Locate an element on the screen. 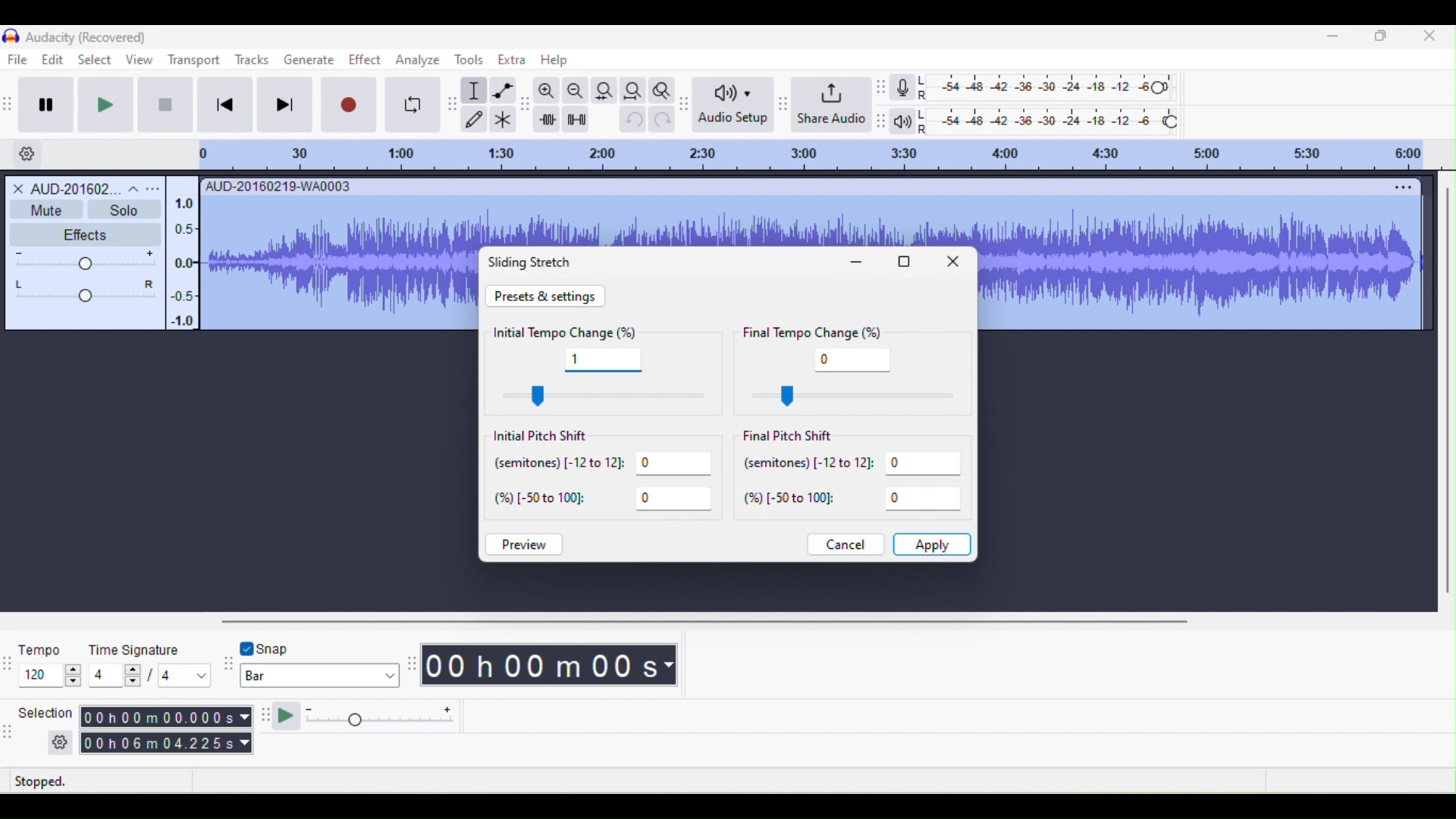 Image resolution: width=1456 pixels, height=819 pixels. play is located at coordinates (112, 105).